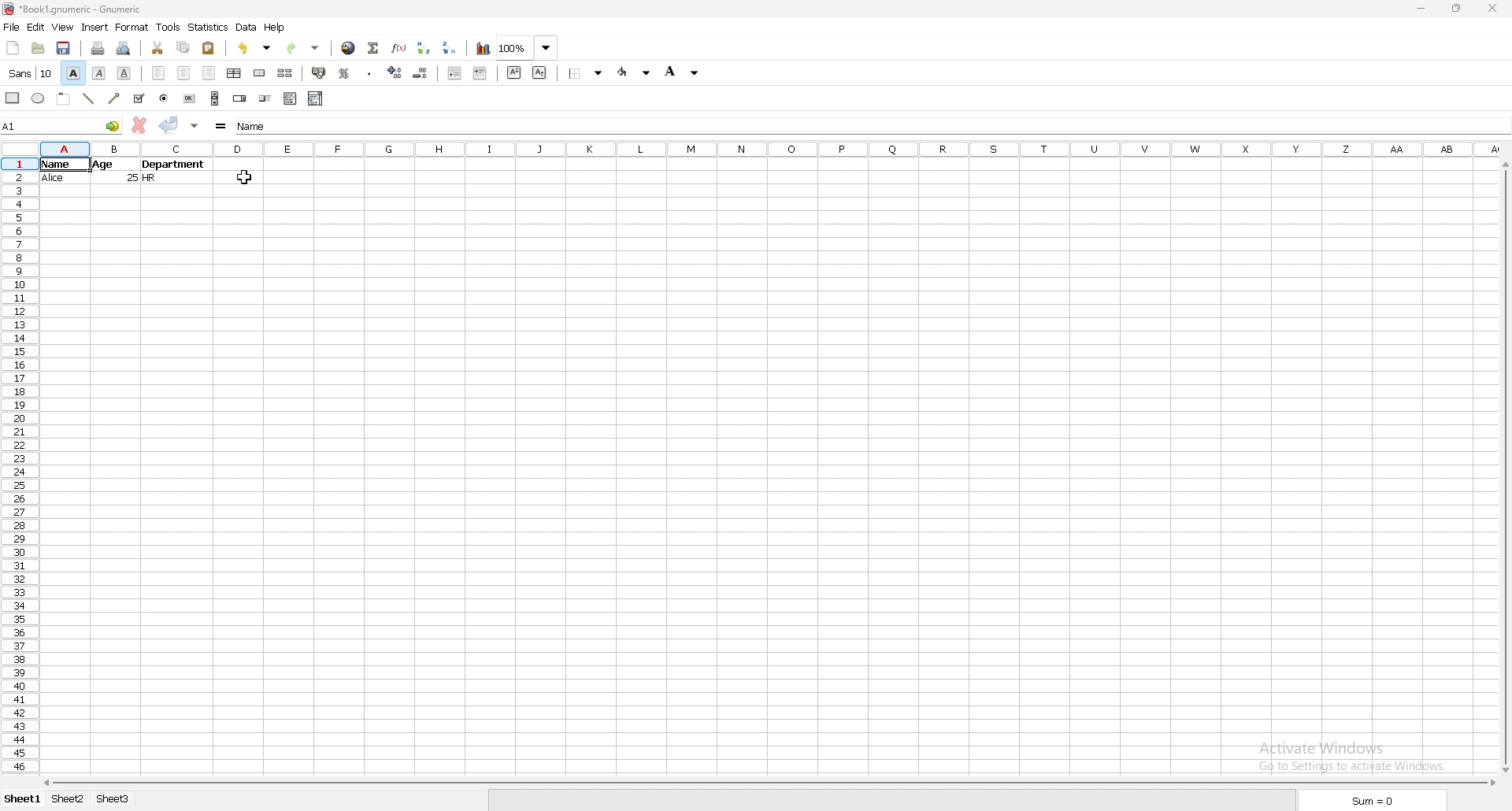  What do you see at coordinates (157, 48) in the screenshot?
I see `cut` at bounding box center [157, 48].